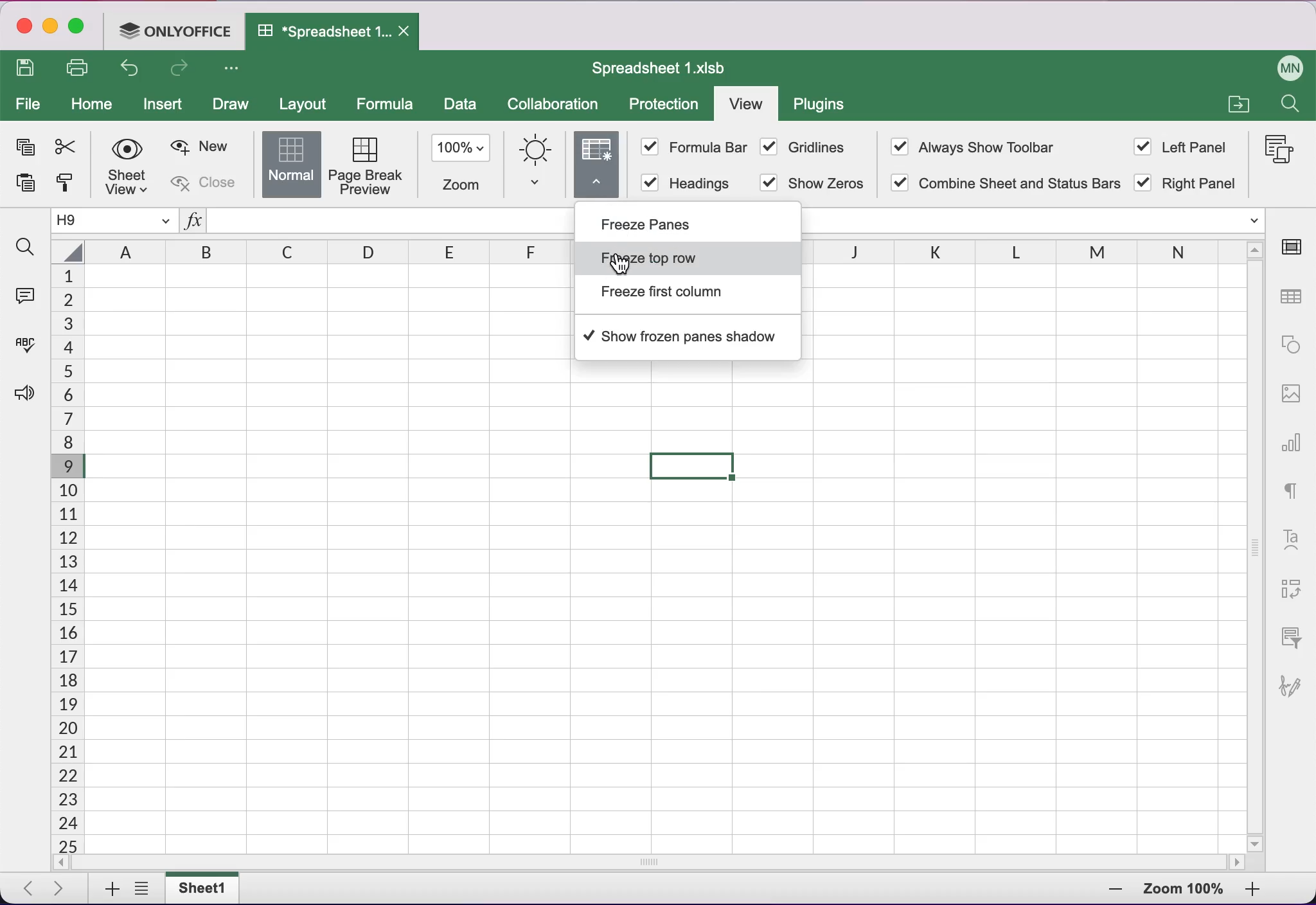 The height and width of the screenshot is (905, 1316). I want to click on text art, so click(1294, 539).